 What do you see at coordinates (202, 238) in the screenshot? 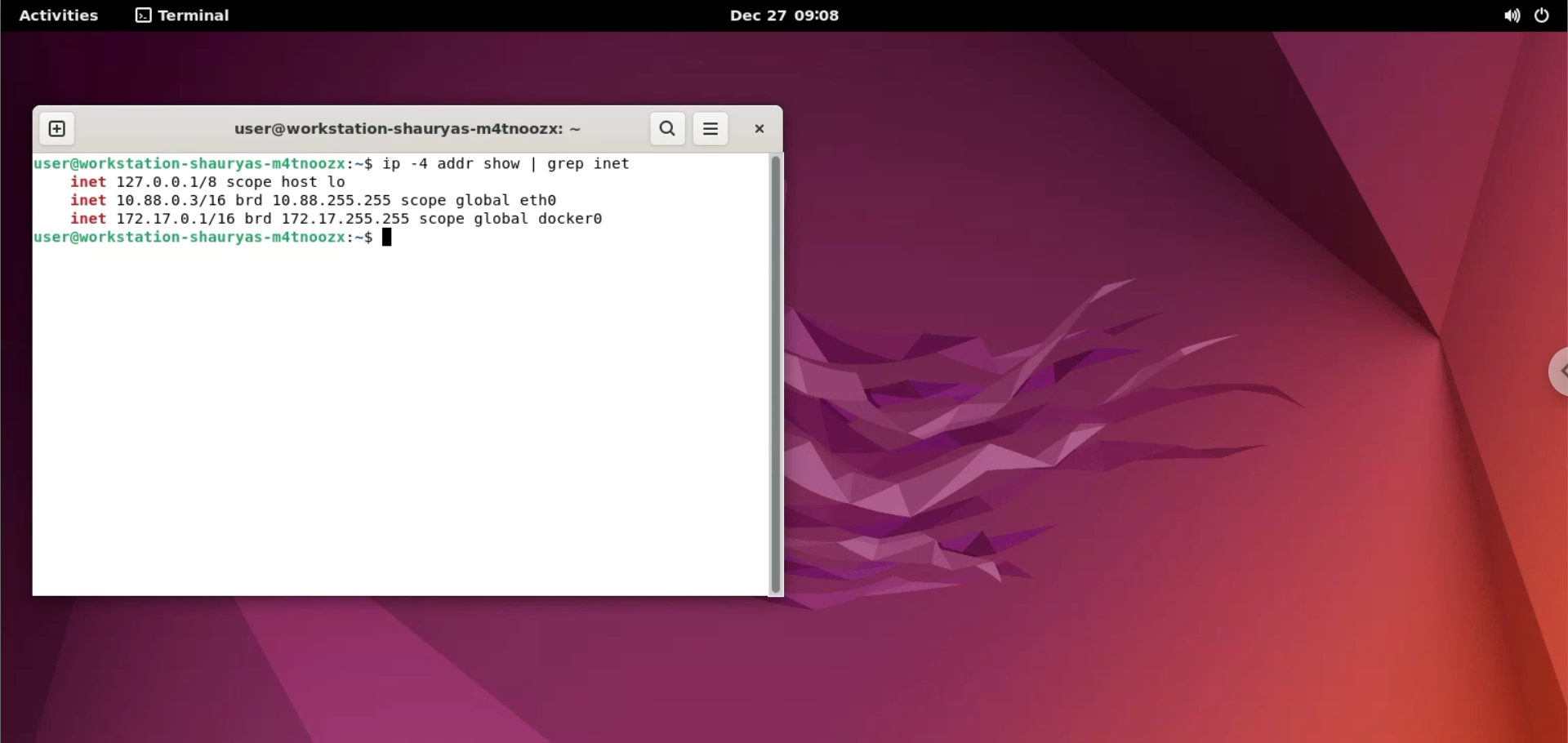
I see `user@workstation-shauryas-m4tnoozx:~$` at bounding box center [202, 238].